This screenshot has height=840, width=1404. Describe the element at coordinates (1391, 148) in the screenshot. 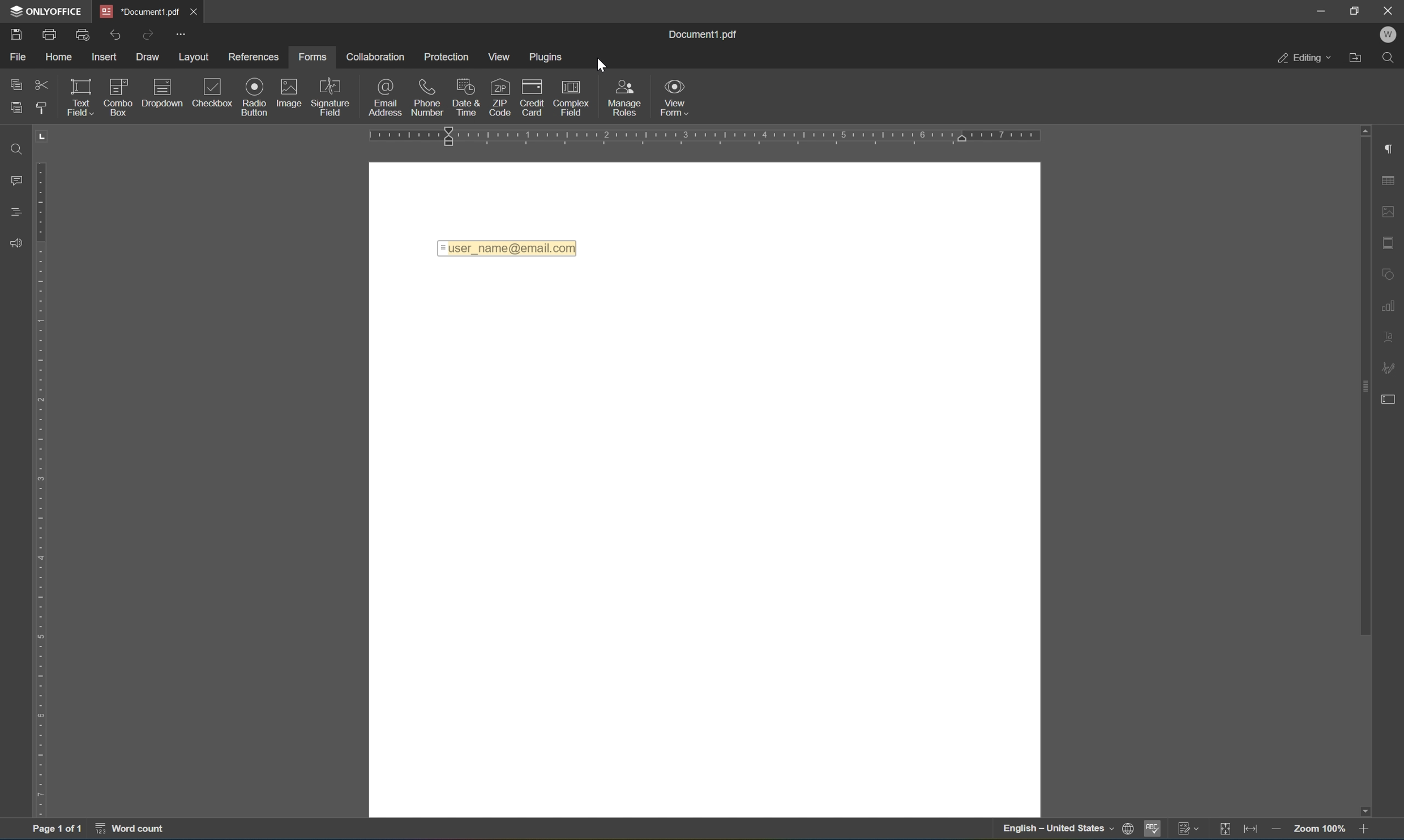

I see `paragraph settings` at that location.